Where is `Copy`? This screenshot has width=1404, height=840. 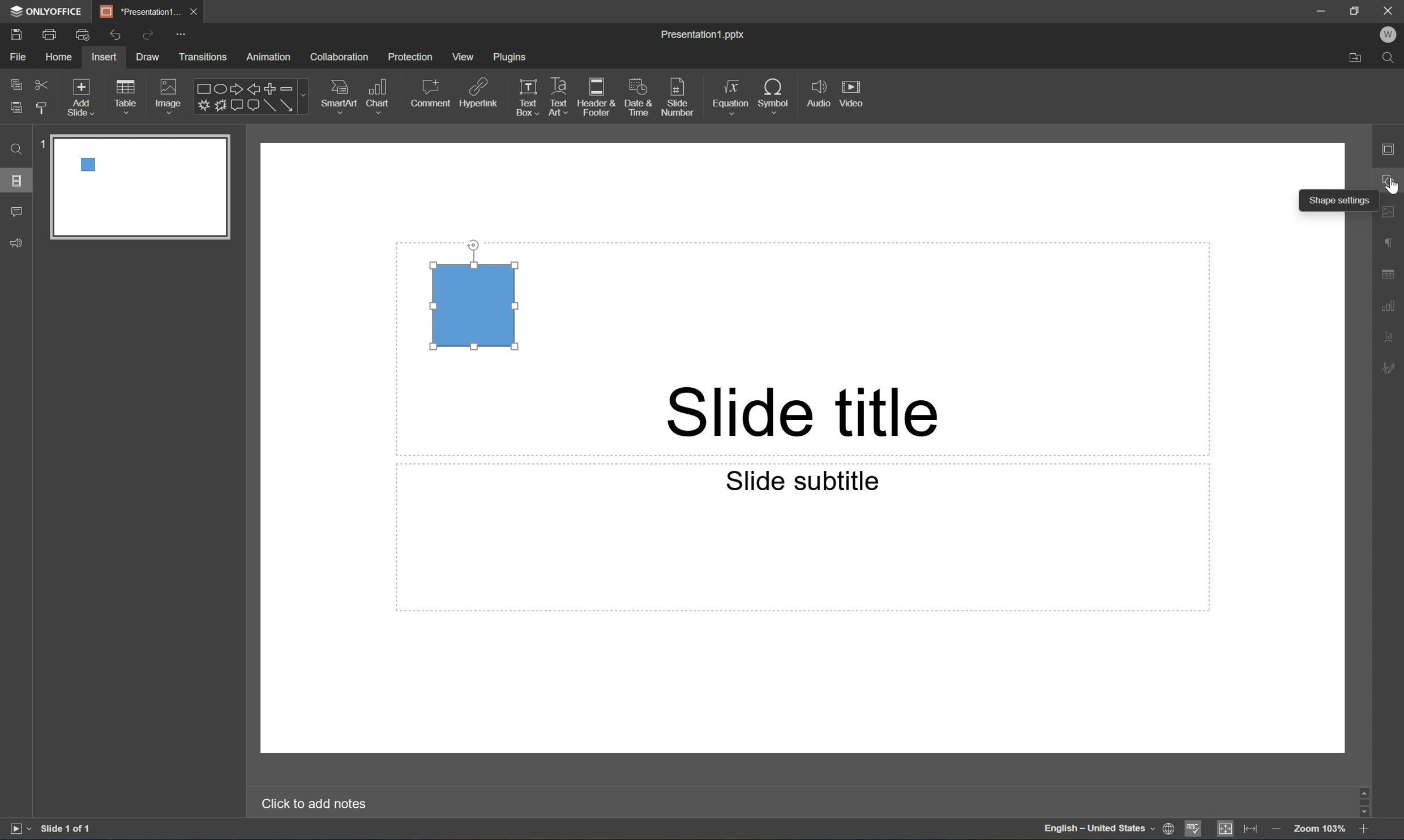
Copy is located at coordinates (17, 83).